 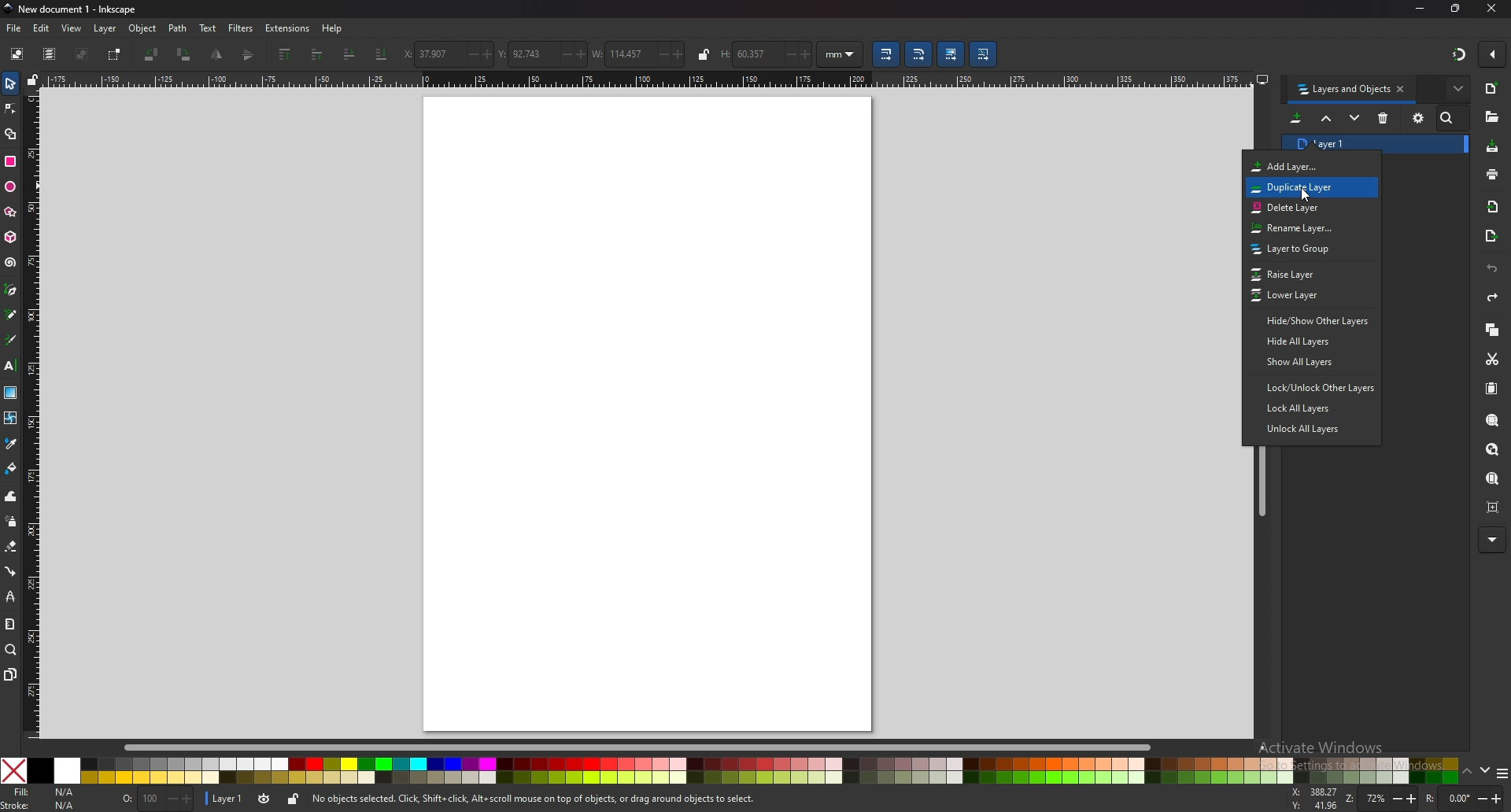 What do you see at coordinates (1460, 54) in the screenshot?
I see `snapping` at bounding box center [1460, 54].